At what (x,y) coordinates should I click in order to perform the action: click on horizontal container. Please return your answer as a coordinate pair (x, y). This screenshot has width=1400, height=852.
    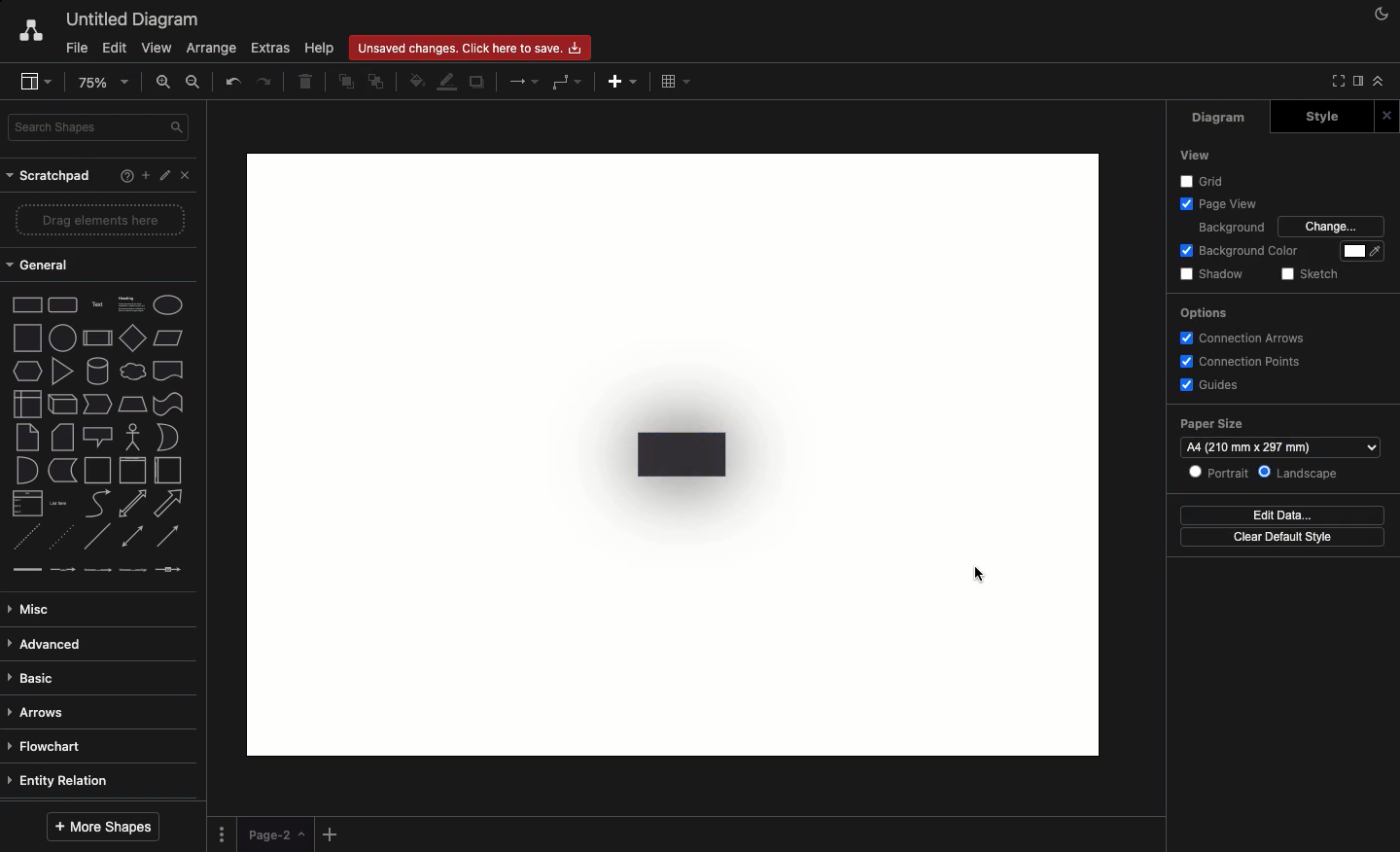
    Looking at the image, I should click on (172, 471).